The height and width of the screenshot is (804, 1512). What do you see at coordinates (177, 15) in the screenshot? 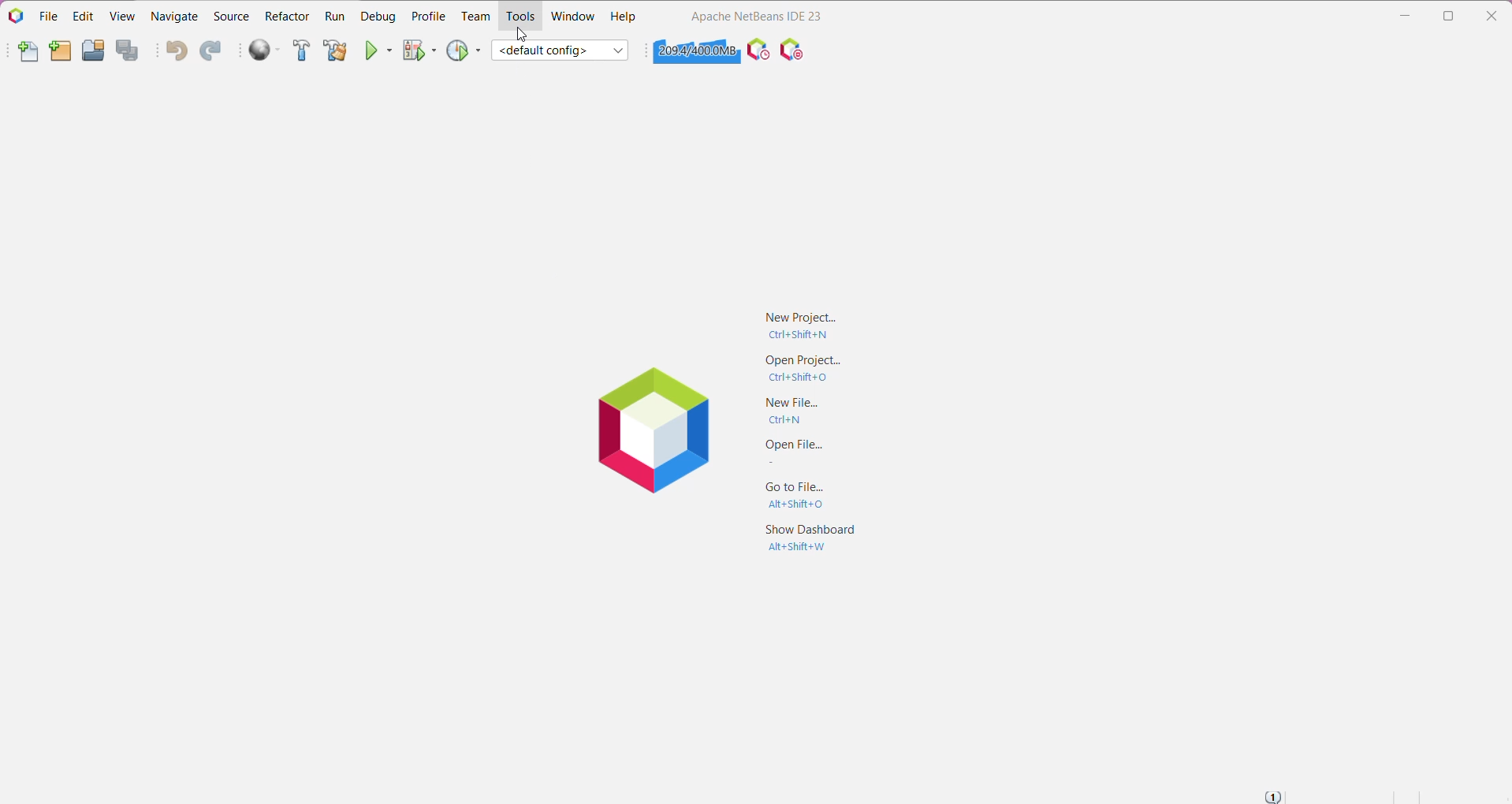
I see `Navigate` at bounding box center [177, 15].